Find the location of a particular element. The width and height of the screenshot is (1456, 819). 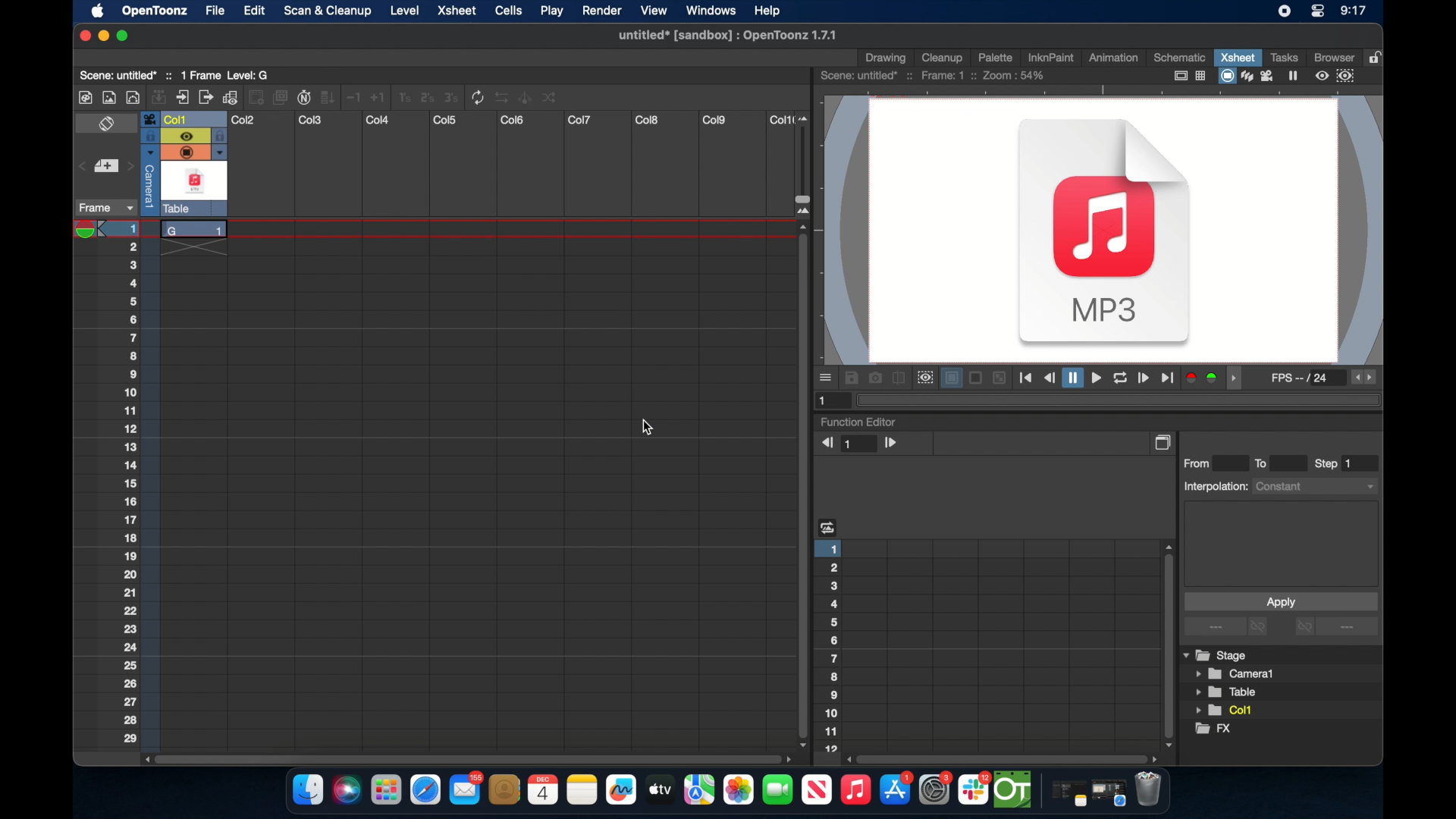

finder is located at coordinates (306, 790).